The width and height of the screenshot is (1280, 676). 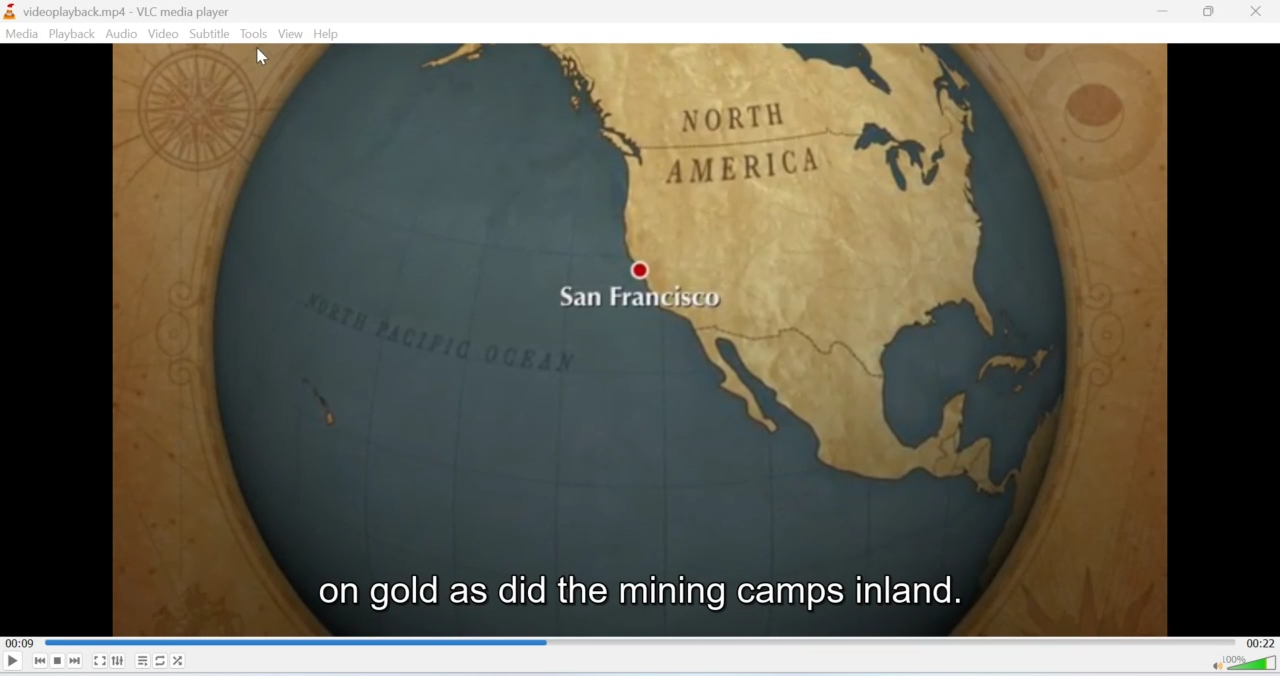 What do you see at coordinates (255, 34) in the screenshot?
I see `Tools` at bounding box center [255, 34].